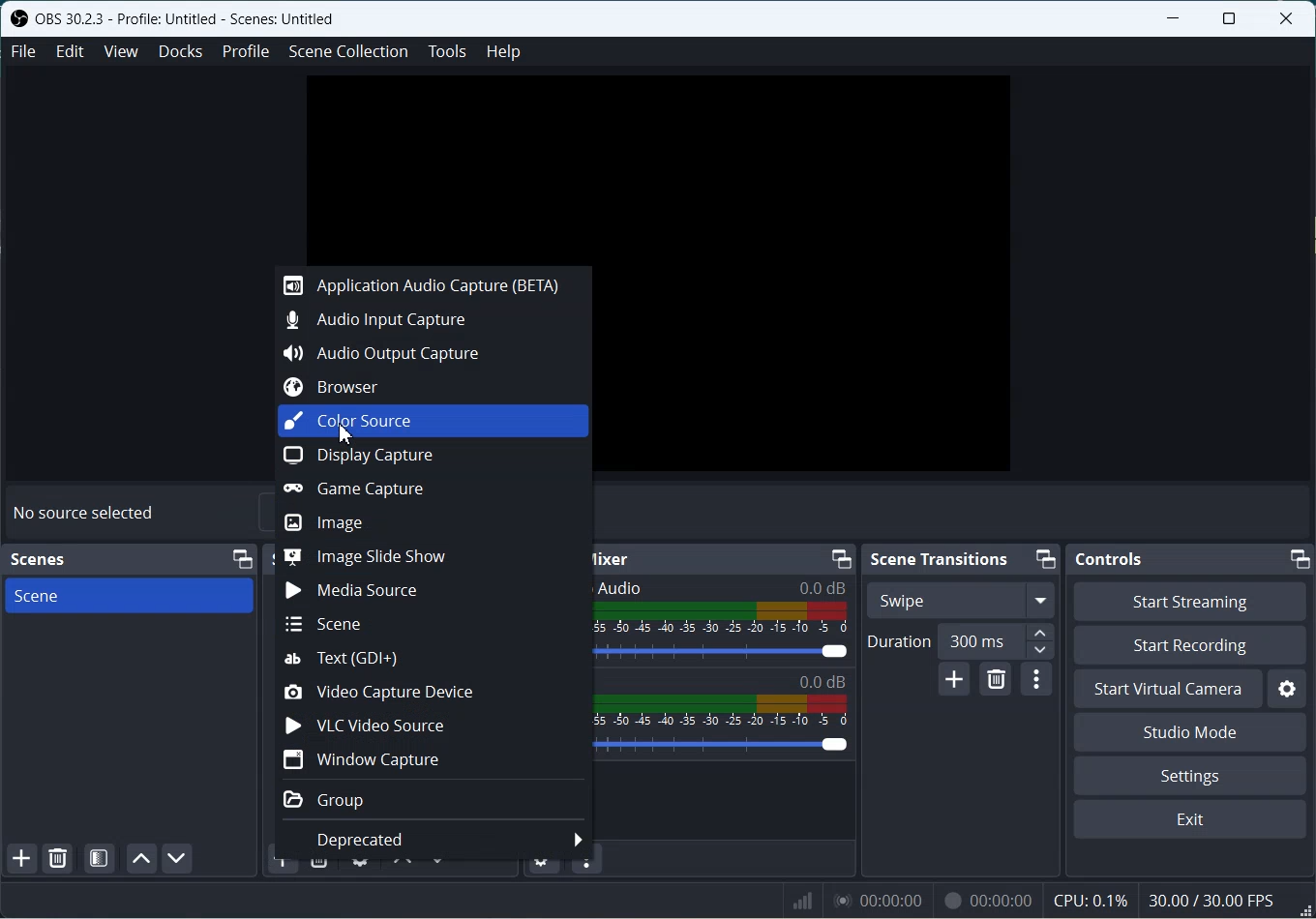 The image size is (1316, 919). Describe the element at coordinates (434, 522) in the screenshot. I see `Image` at that location.